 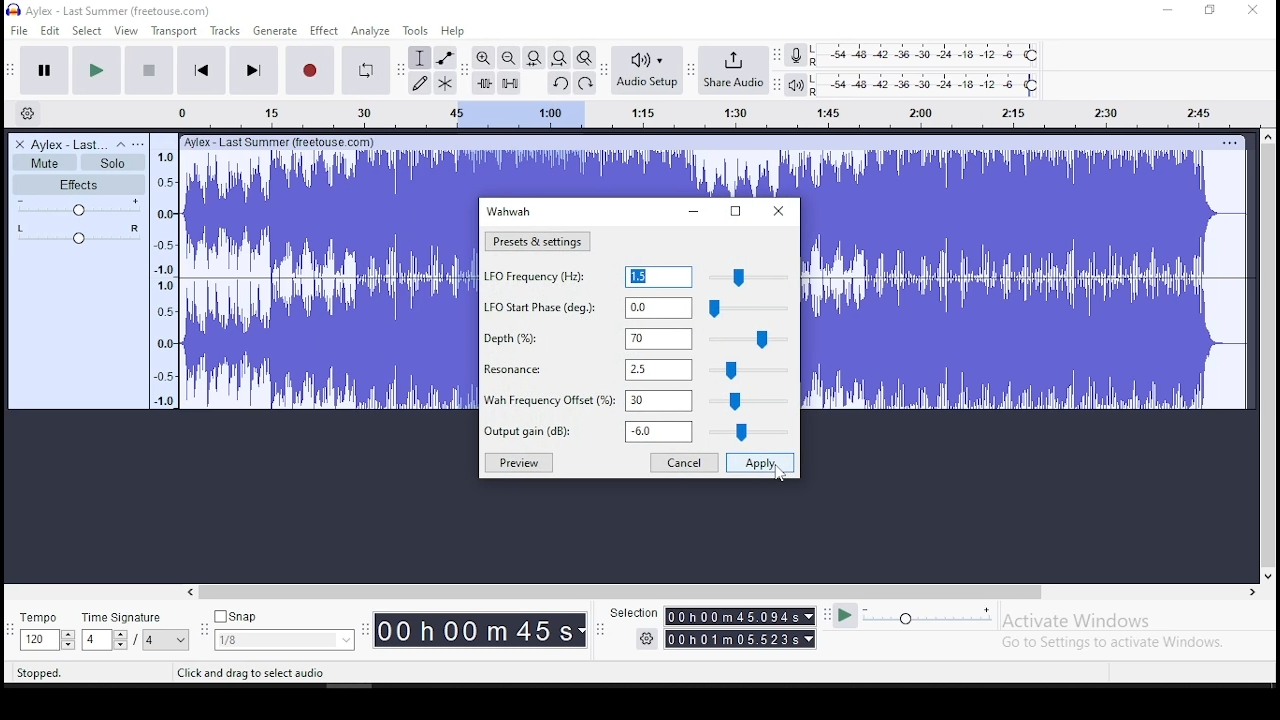 What do you see at coordinates (329, 281) in the screenshot?
I see `audio track` at bounding box center [329, 281].